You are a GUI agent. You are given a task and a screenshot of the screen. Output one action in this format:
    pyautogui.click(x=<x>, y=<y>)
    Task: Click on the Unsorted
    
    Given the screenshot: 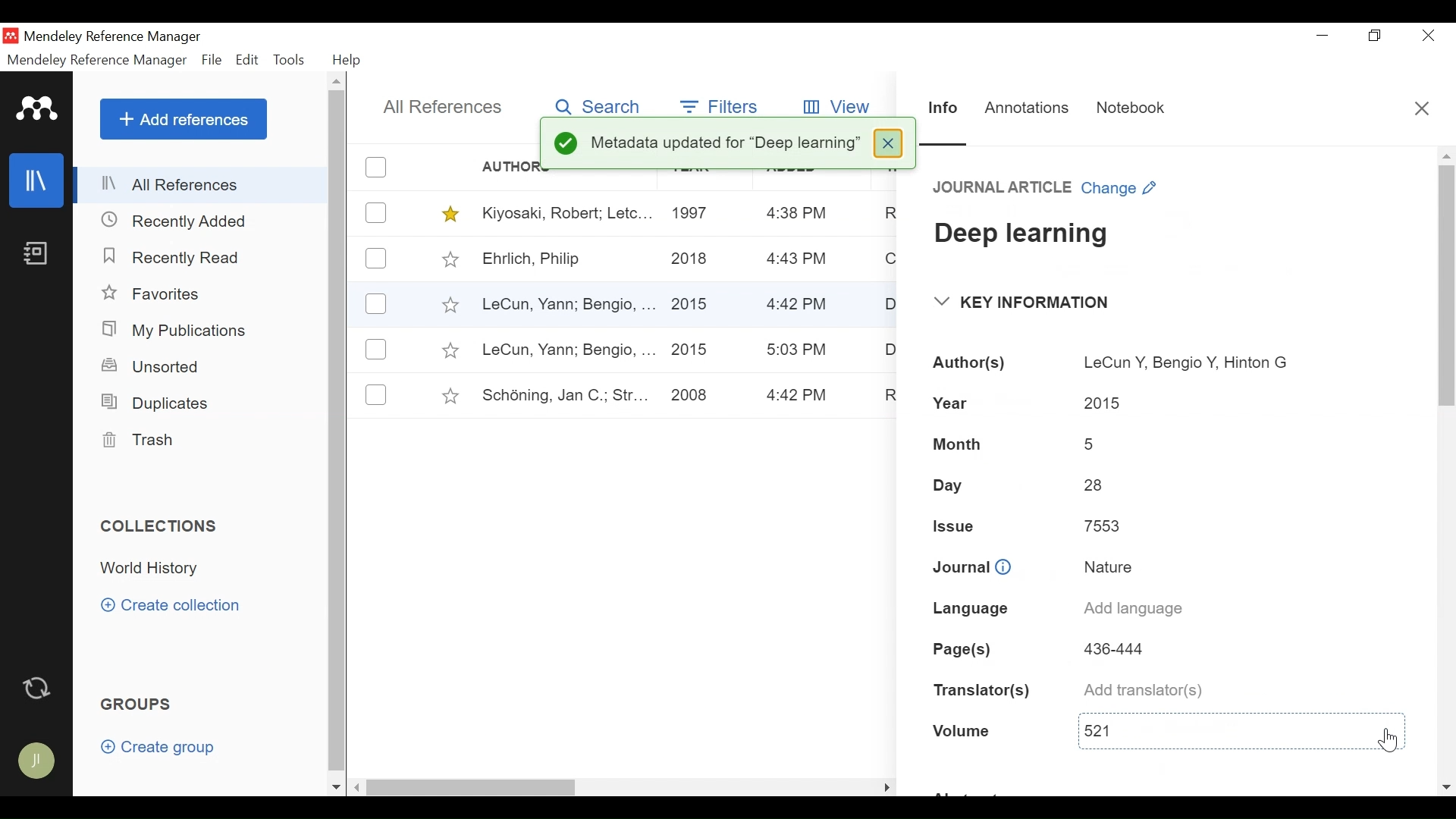 What is the action you would take?
    pyautogui.click(x=152, y=366)
    